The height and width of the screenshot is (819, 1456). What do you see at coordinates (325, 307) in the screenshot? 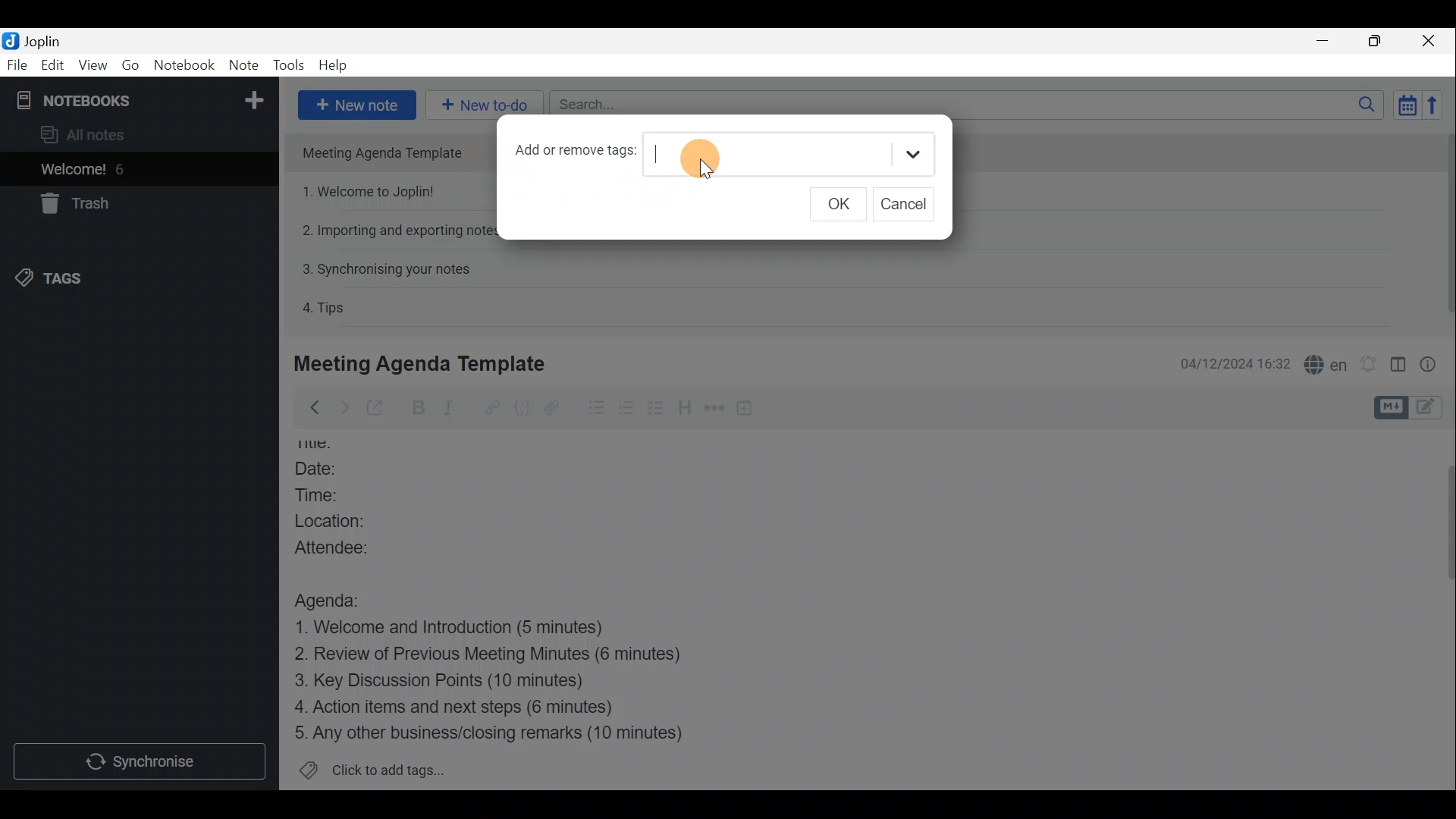
I see `4. Tips` at bounding box center [325, 307].